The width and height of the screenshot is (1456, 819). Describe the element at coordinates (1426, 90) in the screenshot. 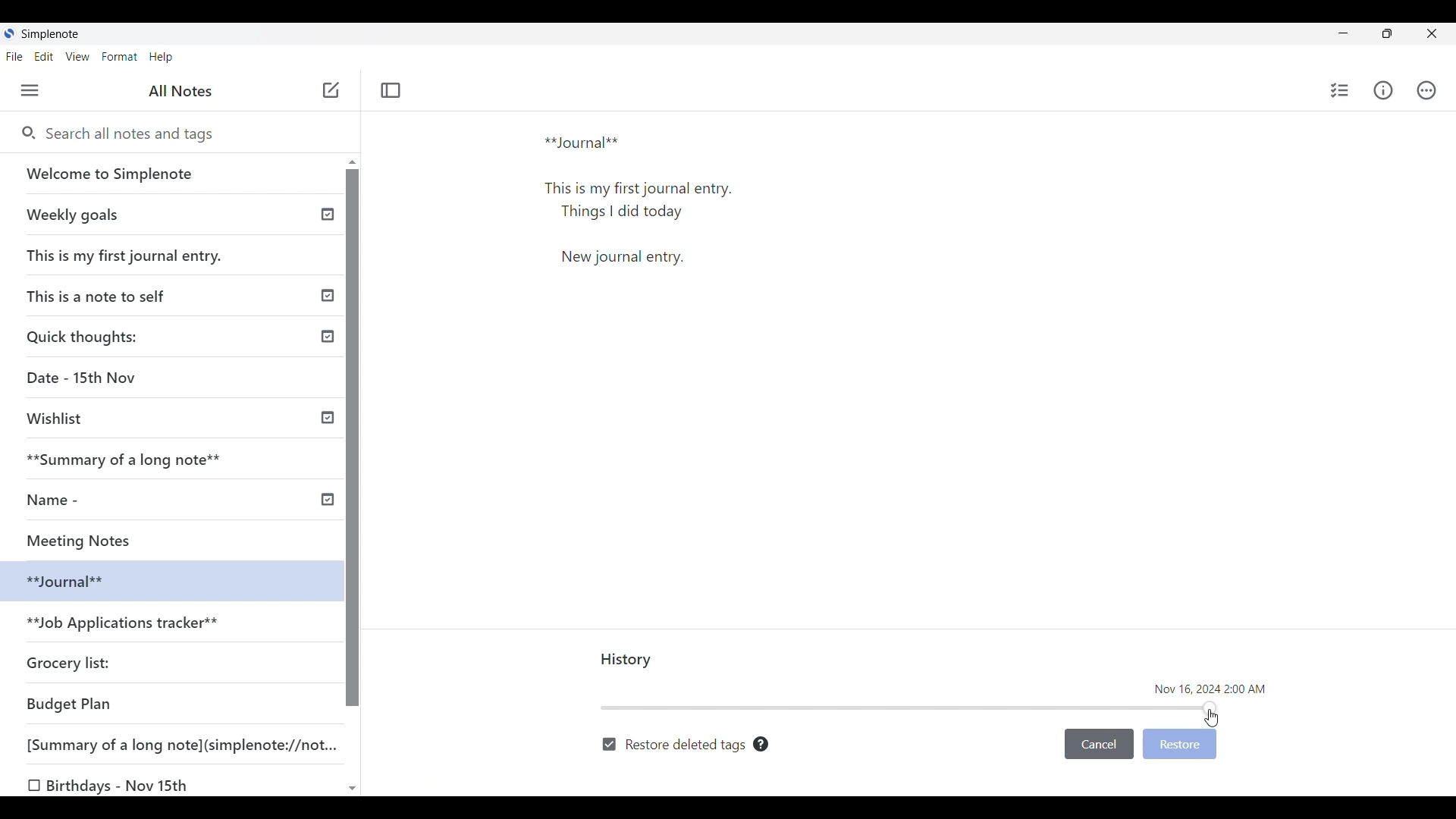

I see `Actions` at that location.